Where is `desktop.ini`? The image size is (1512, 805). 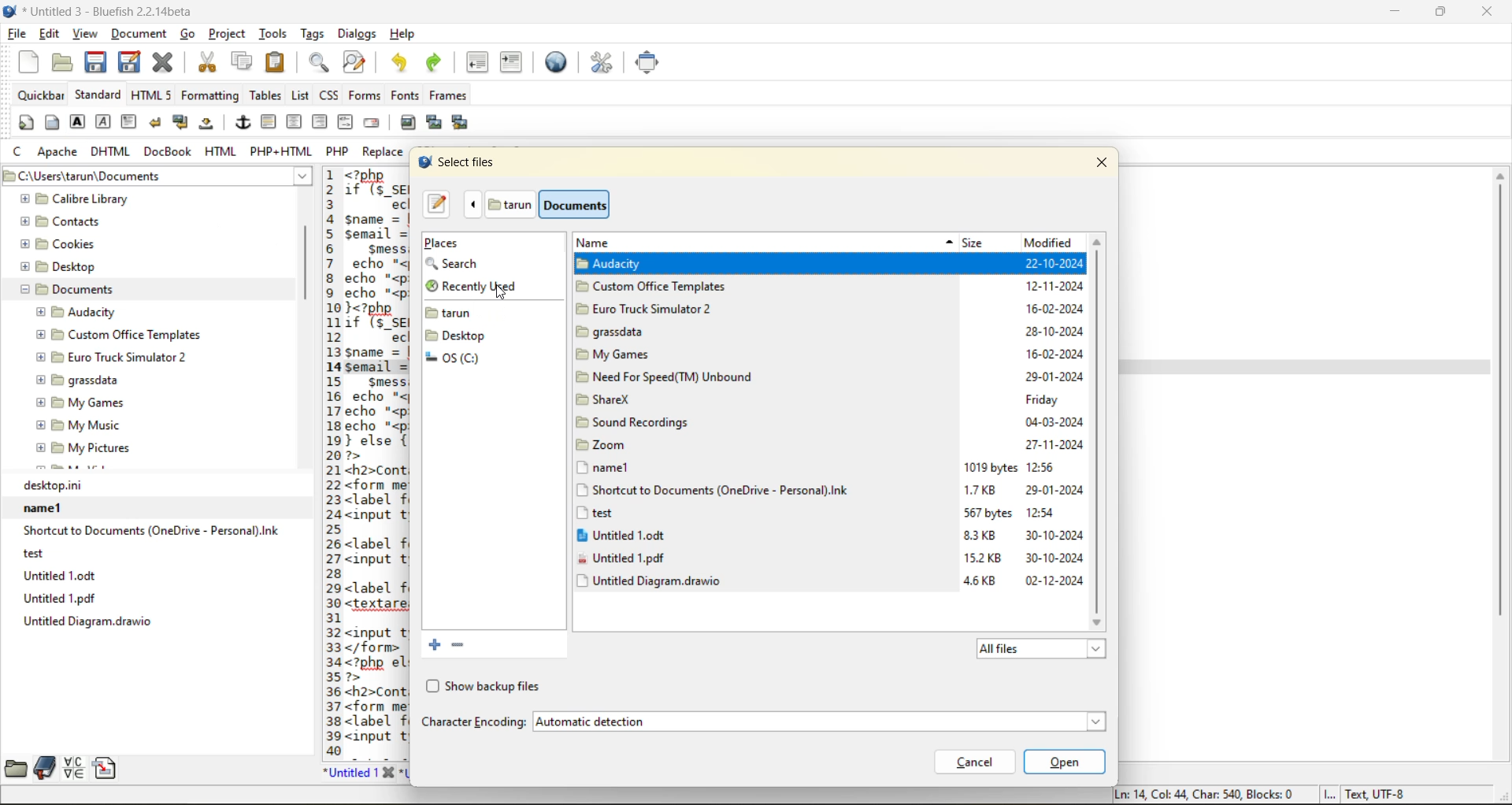
desktop.ini is located at coordinates (157, 485).